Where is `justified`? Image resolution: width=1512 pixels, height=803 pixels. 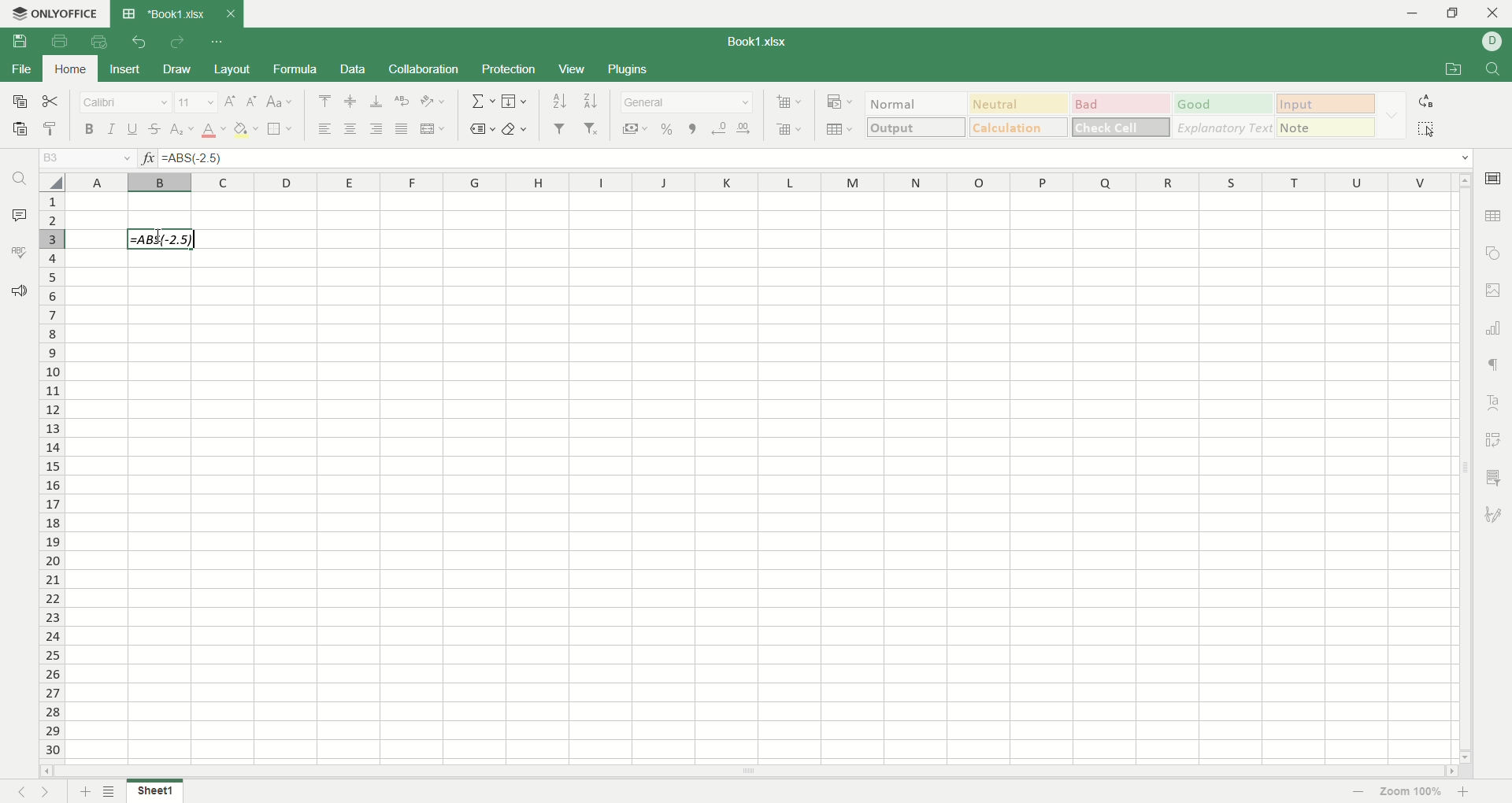
justified is located at coordinates (399, 128).